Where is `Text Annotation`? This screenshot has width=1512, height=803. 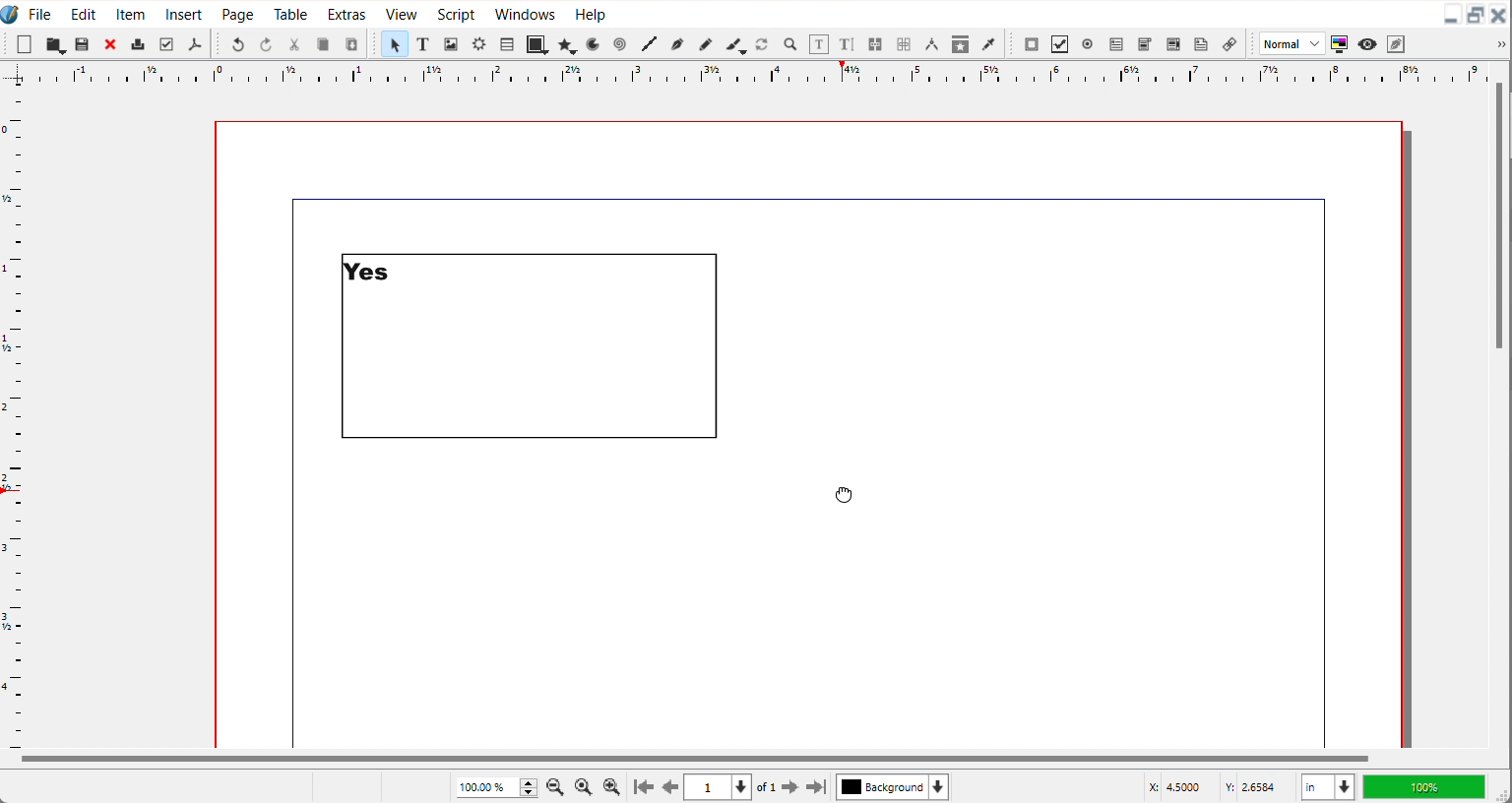 Text Annotation is located at coordinates (1201, 44).